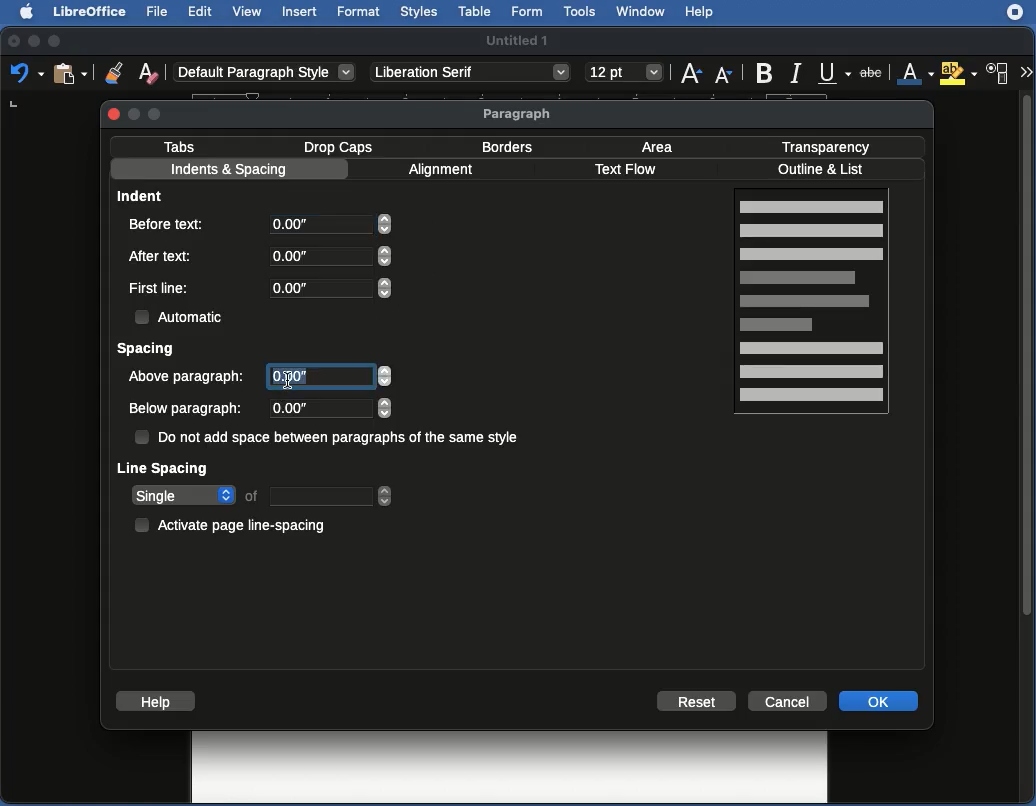 The image size is (1036, 806). I want to click on Single, so click(262, 496).